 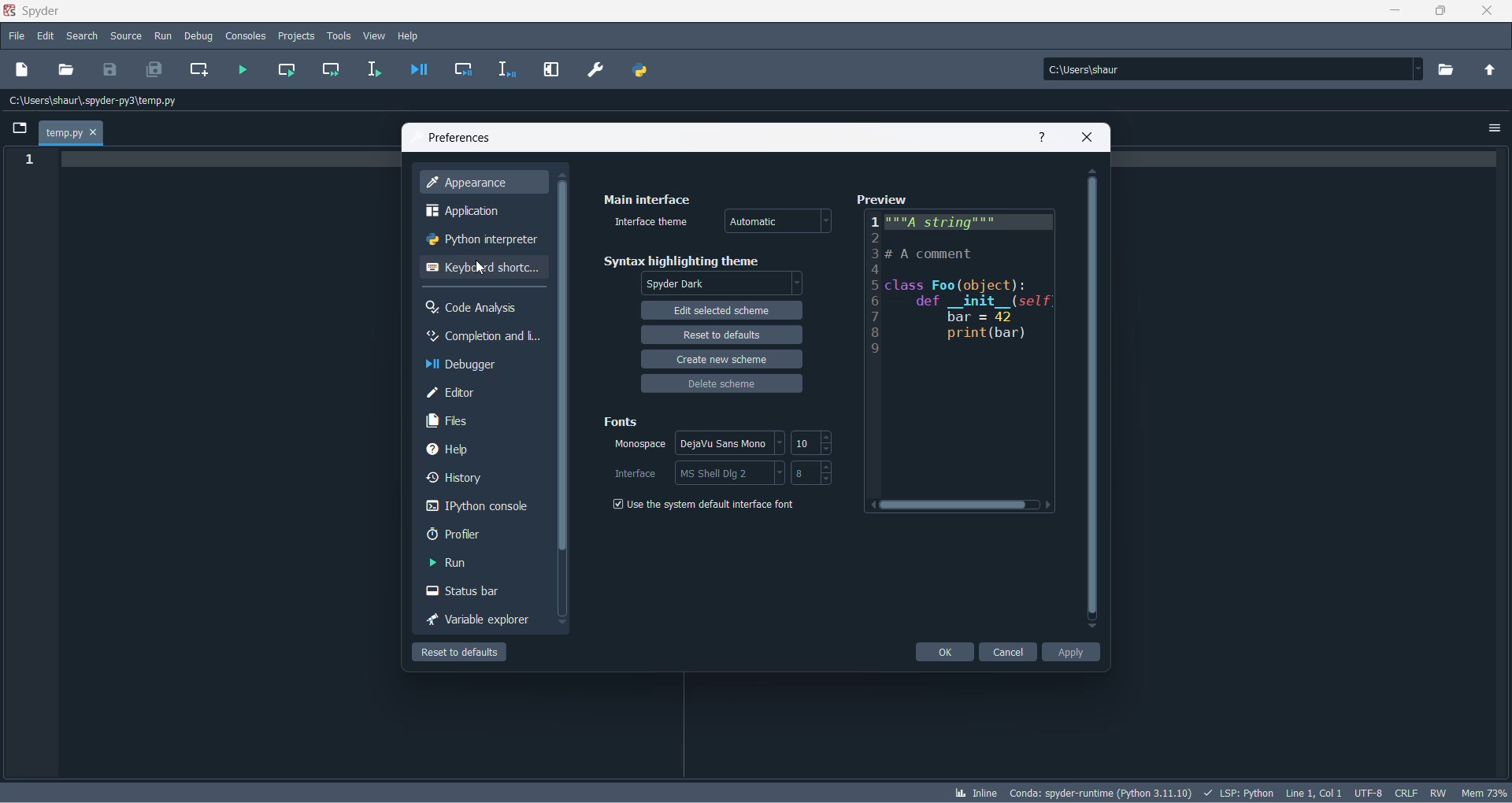 What do you see at coordinates (1239, 792) in the screenshot?
I see `script` at bounding box center [1239, 792].